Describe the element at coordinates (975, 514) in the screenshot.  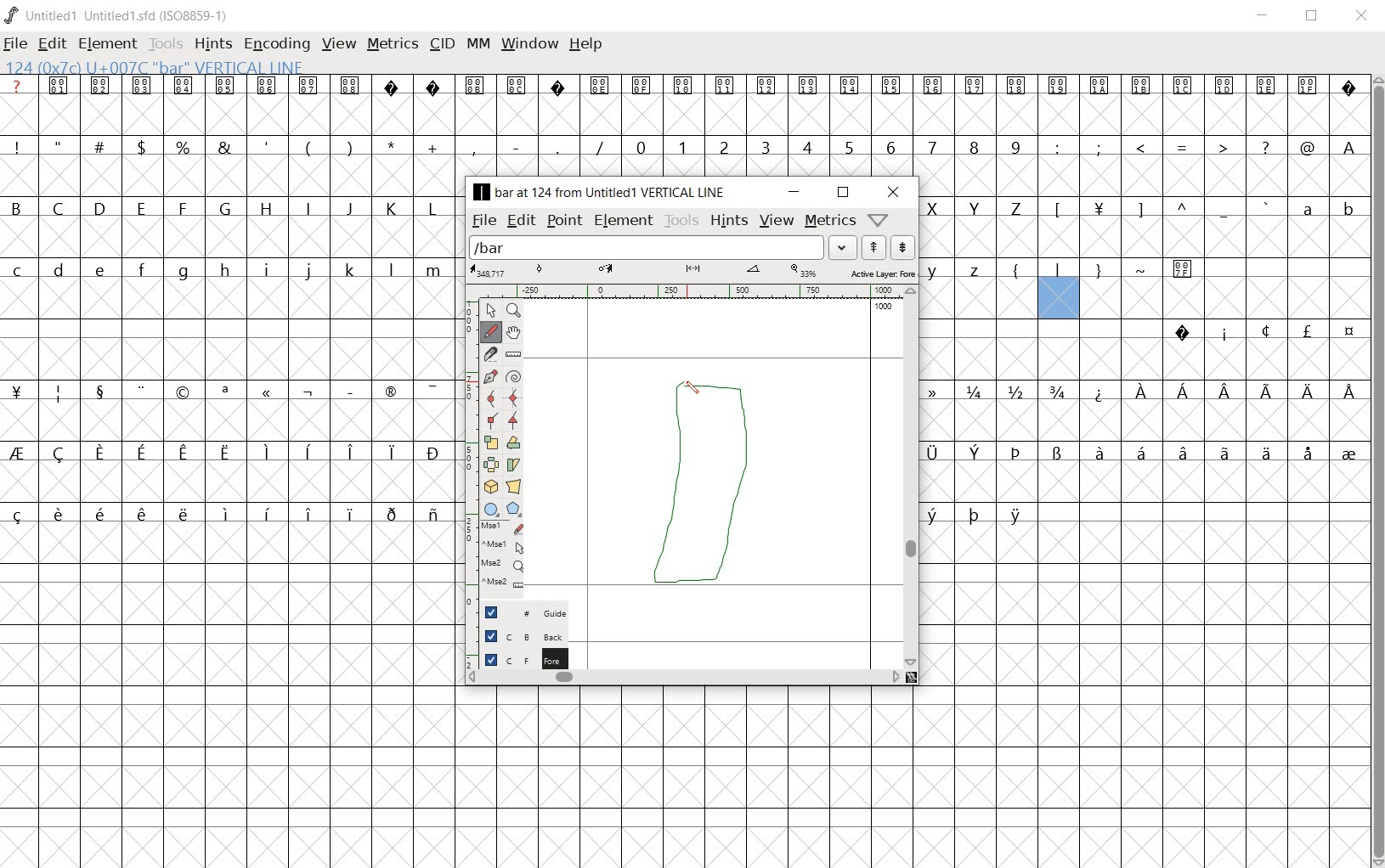
I see `special letters` at that location.